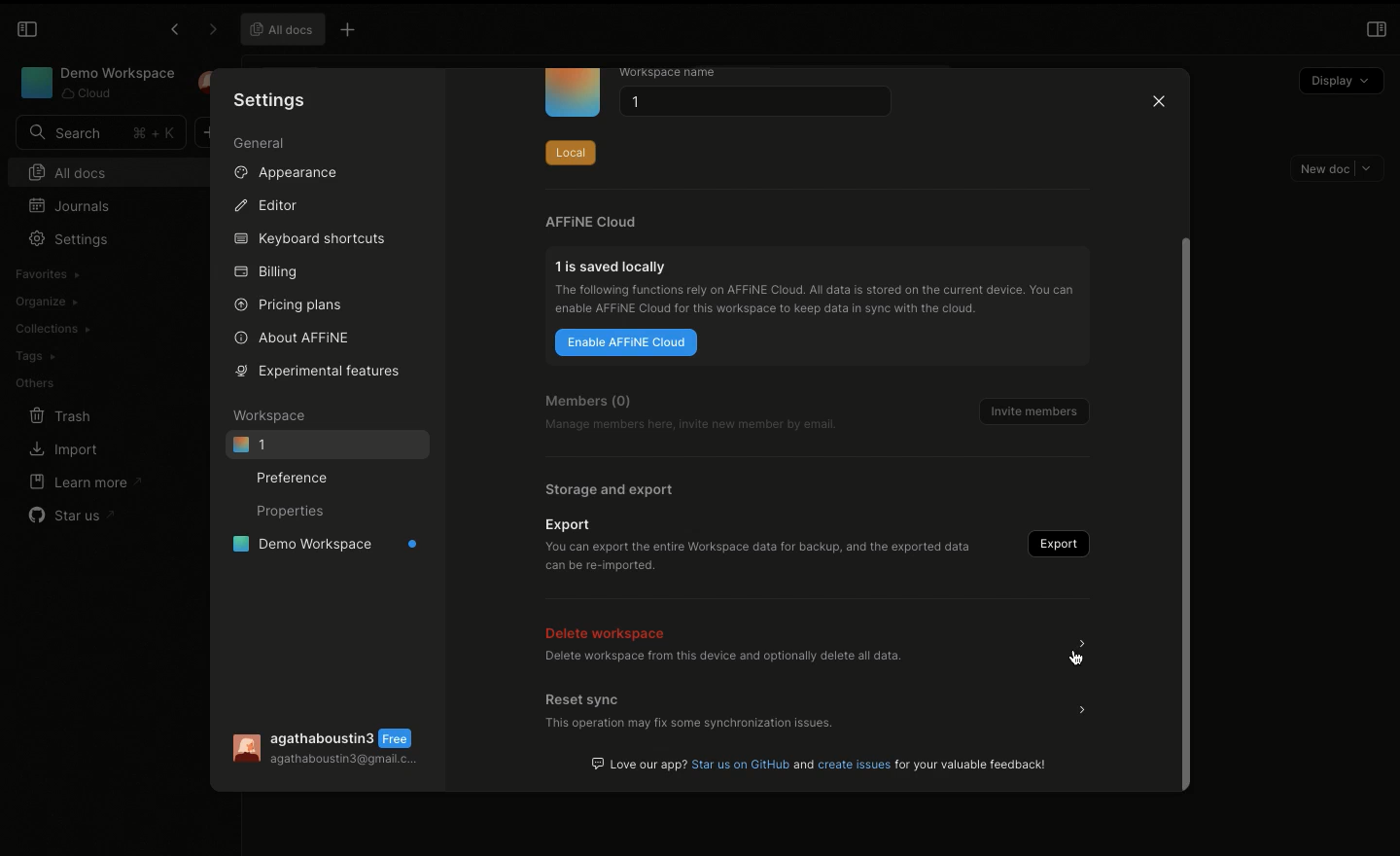 Image resolution: width=1400 pixels, height=856 pixels. What do you see at coordinates (100, 132) in the screenshot?
I see `Search` at bounding box center [100, 132].